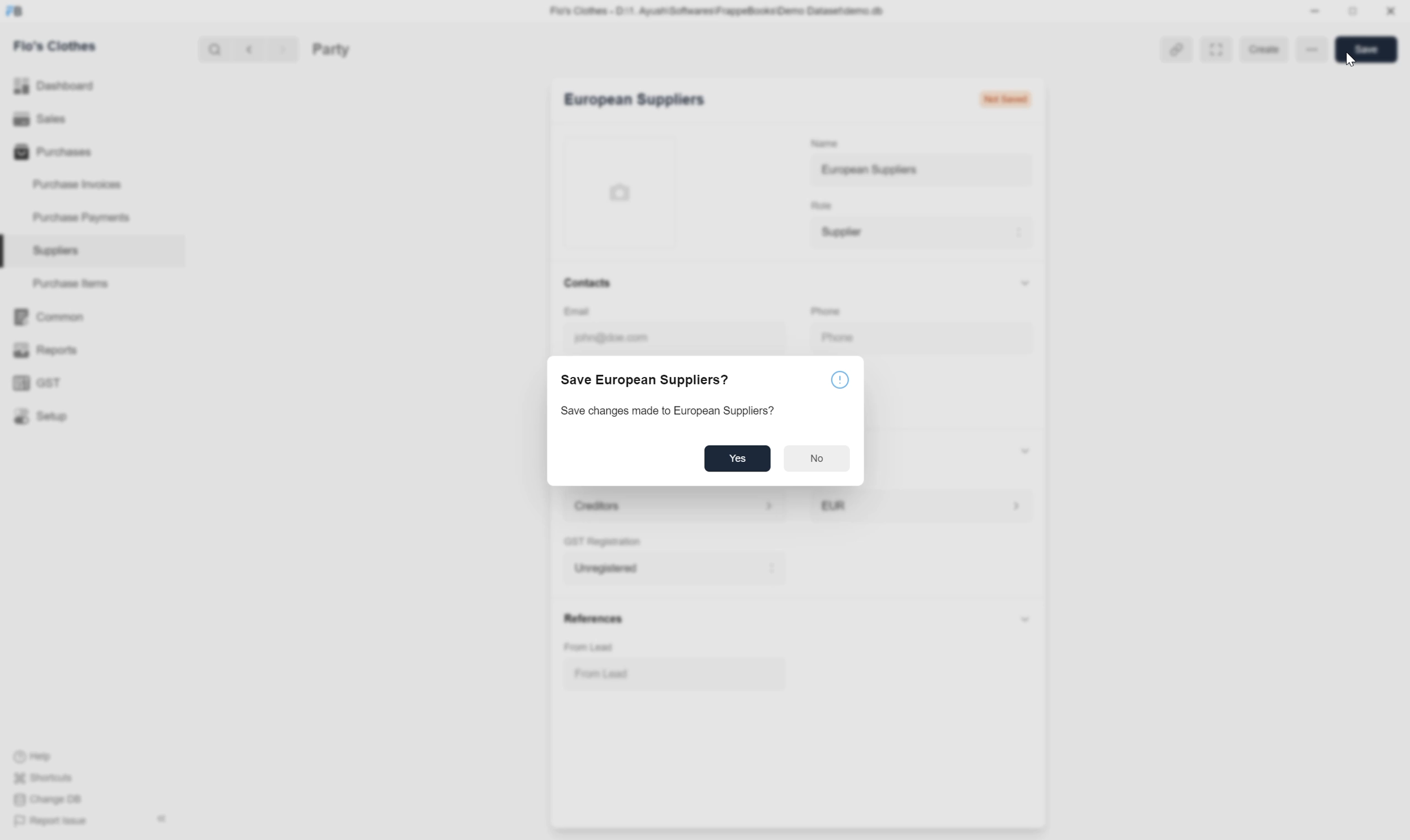 This screenshot has height=840, width=1410. I want to click on search, so click(210, 48).